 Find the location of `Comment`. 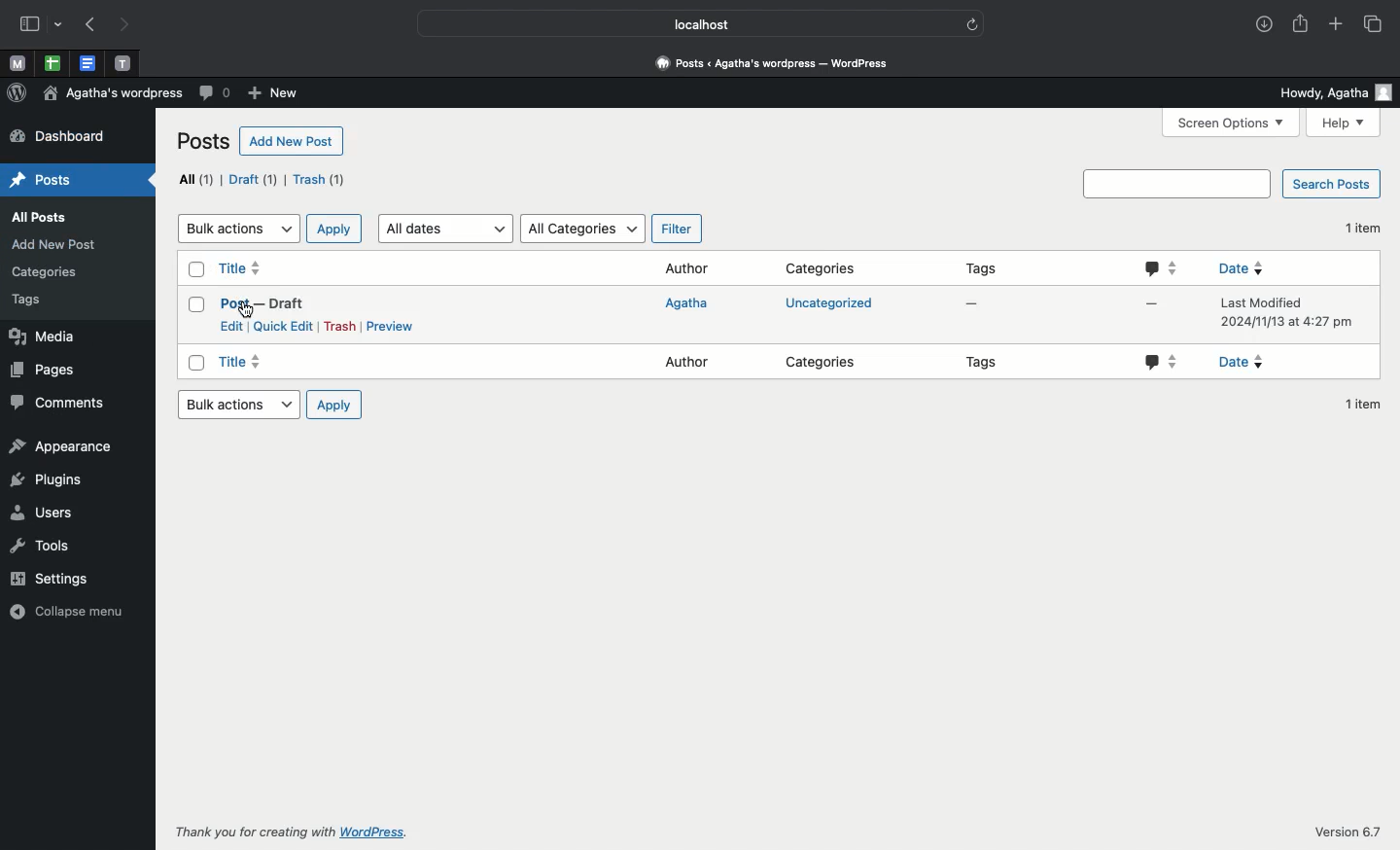

Comment is located at coordinates (1162, 269).